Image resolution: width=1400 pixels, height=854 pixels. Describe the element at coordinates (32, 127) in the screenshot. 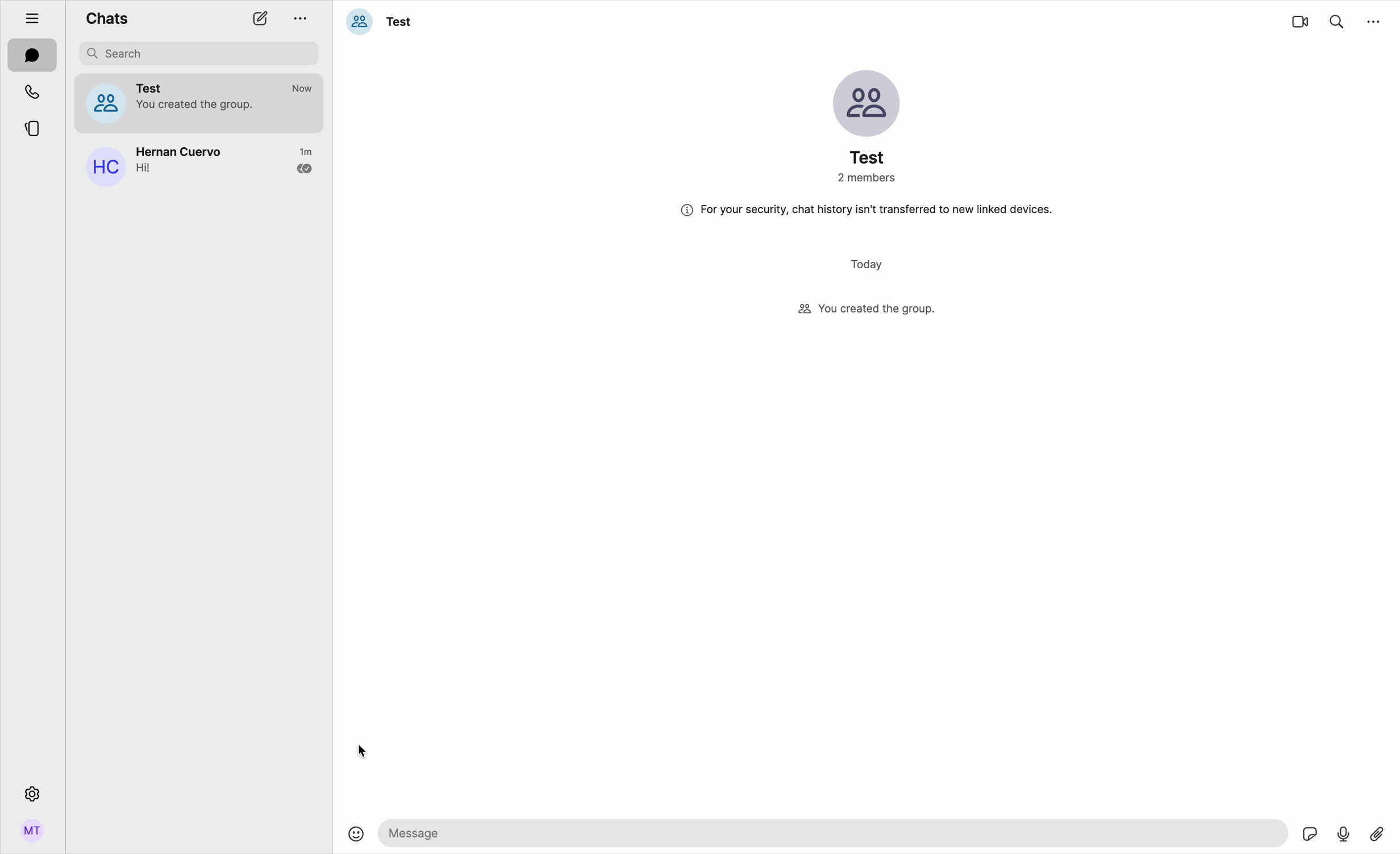

I see `stories` at that location.